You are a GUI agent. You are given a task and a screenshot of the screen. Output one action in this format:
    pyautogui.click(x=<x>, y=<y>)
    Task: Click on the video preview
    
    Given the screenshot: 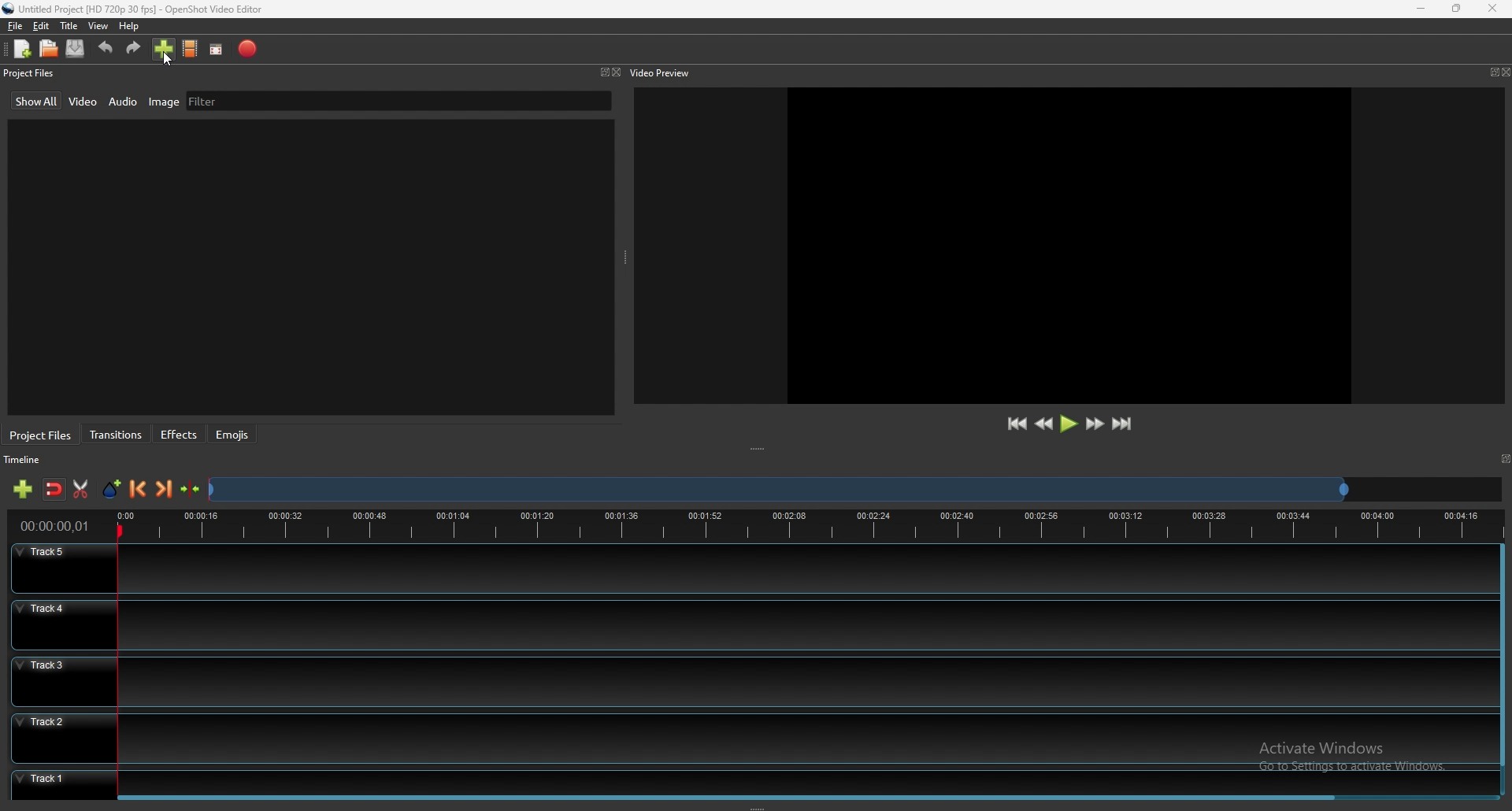 What is the action you would take?
    pyautogui.click(x=665, y=72)
    